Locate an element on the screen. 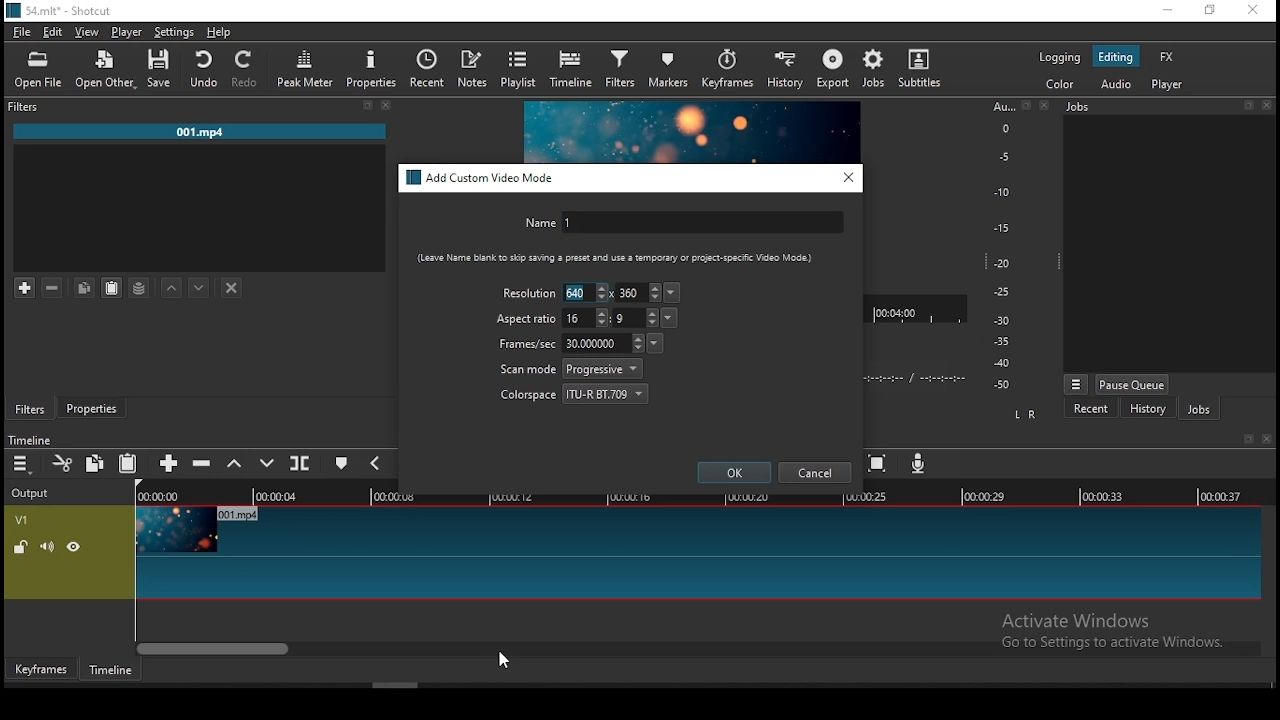 The width and height of the screenshot is (1280, 720). edit is located at coordinates (53, 33).